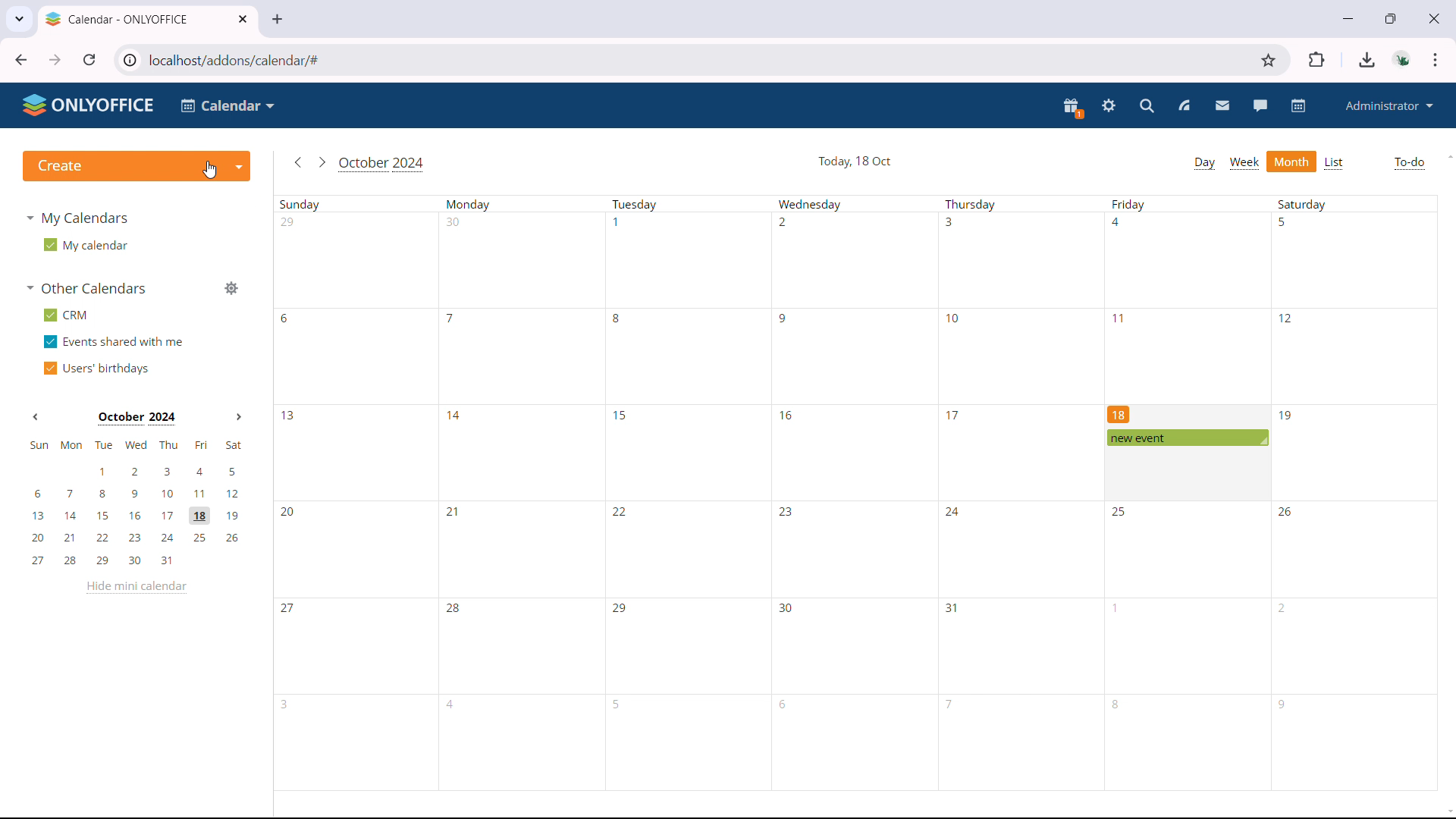 The image size is (1456, 819). What do you see at coordinates (136, 503) in the screenshot?
I see `mini calendar` at bounding box center [136, 503].